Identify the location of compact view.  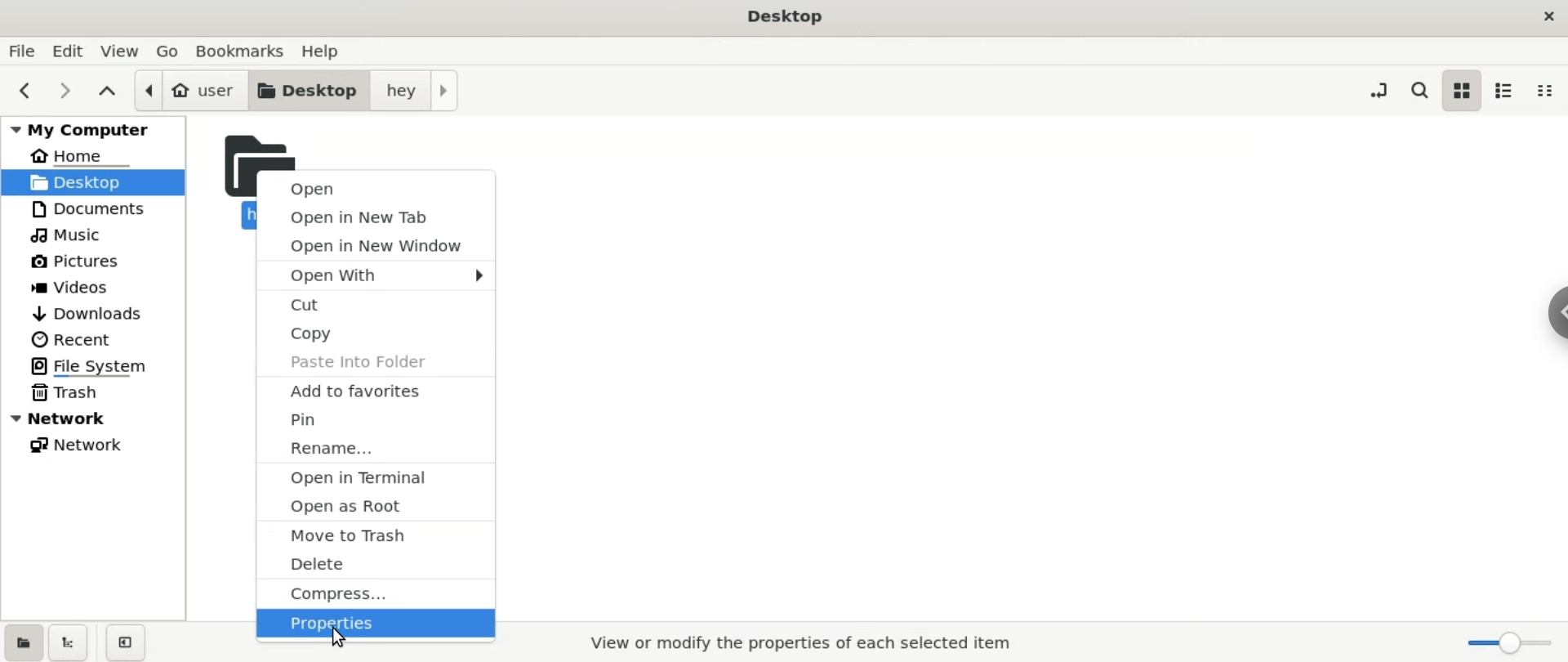
(1545, 91).